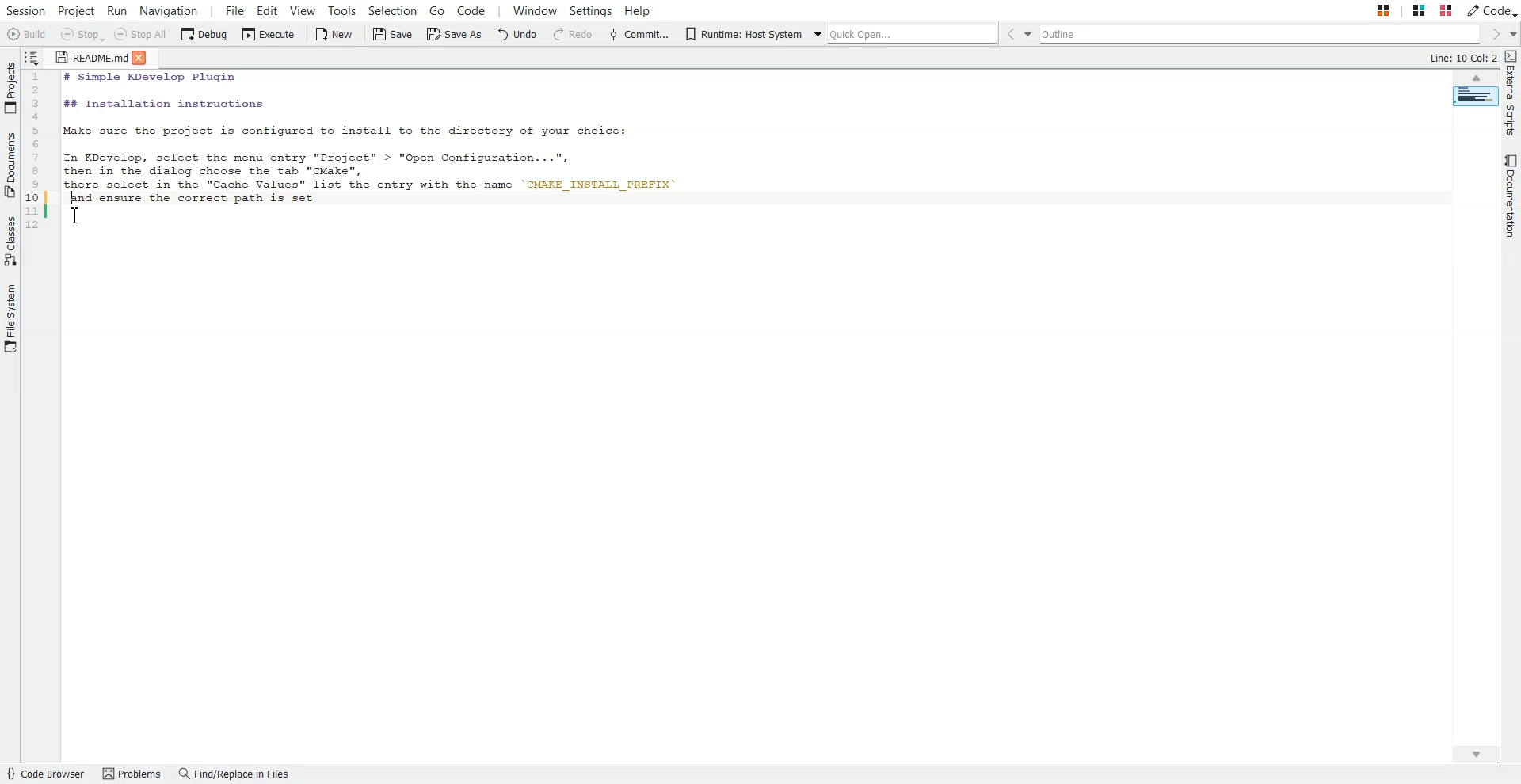  What do you see at coordinates (71, 194) in the screenshot?
I see `Text cursor` at bounding box center [71, 194].